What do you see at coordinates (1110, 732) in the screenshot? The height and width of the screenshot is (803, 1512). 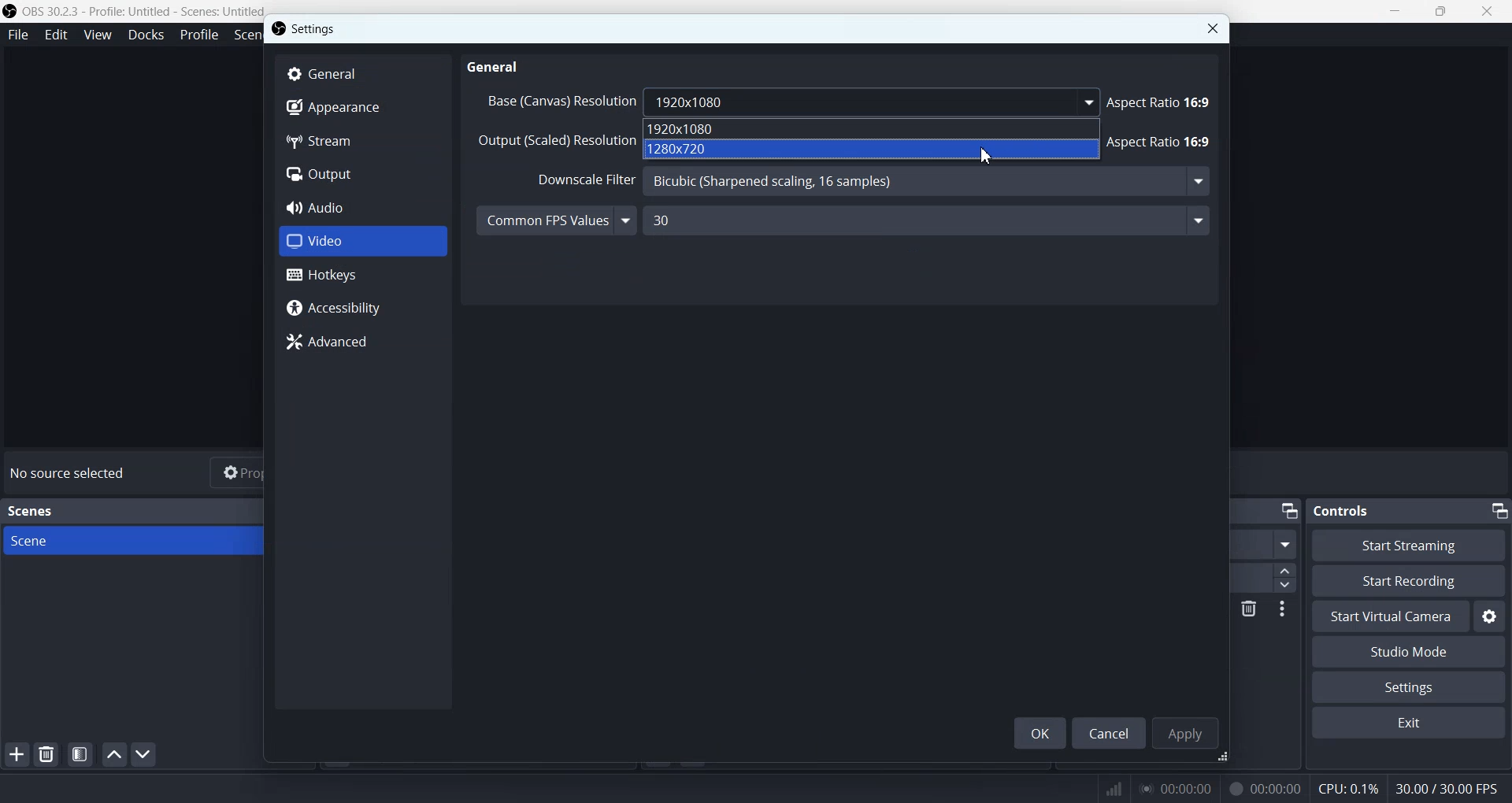 I see `Cancel` at bounding box center [1110, 732].